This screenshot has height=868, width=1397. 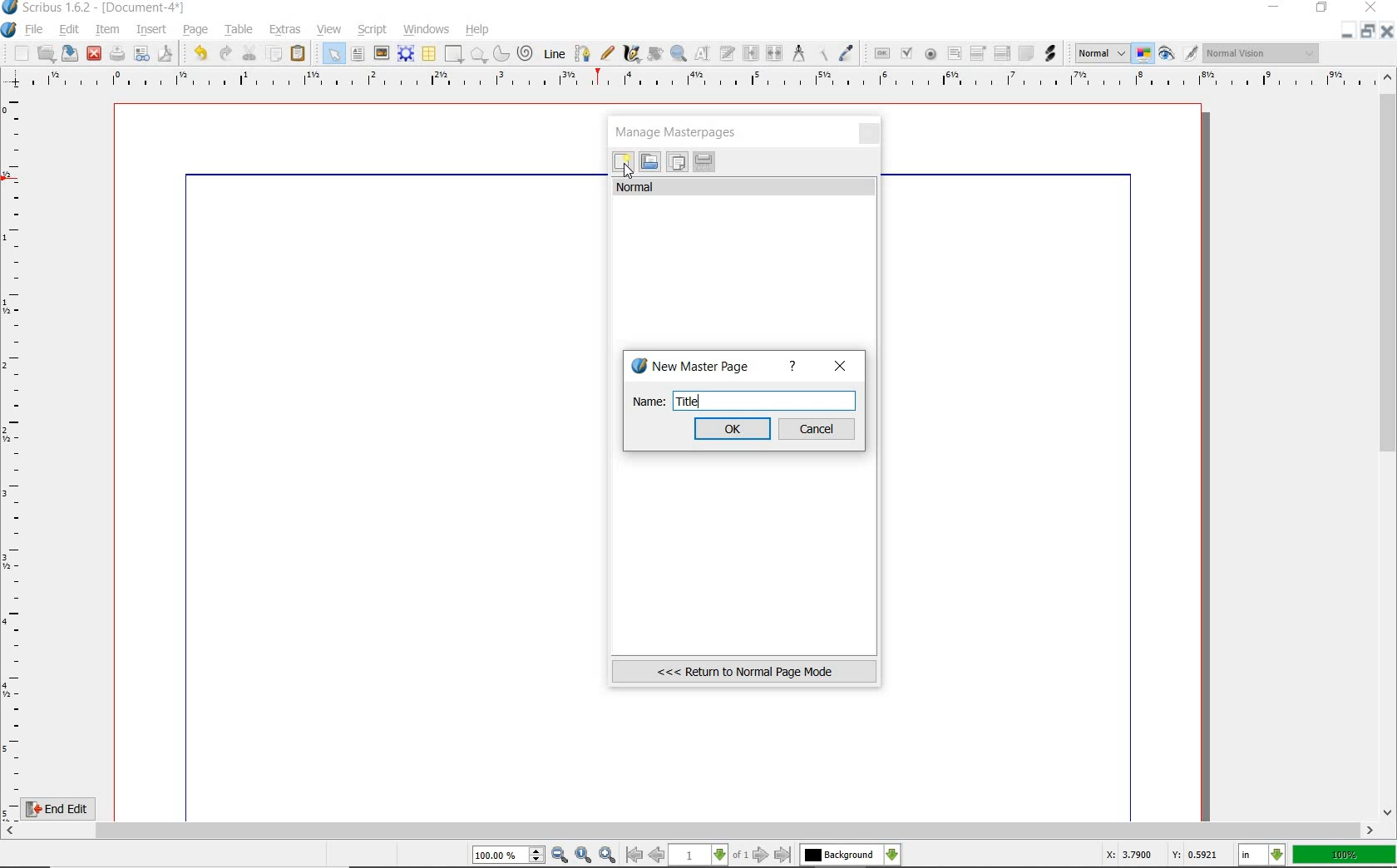 What do you see at coordinates (930, 54) in the screenshot?
I see `pdf radio button` at bounding box center [930, 54].